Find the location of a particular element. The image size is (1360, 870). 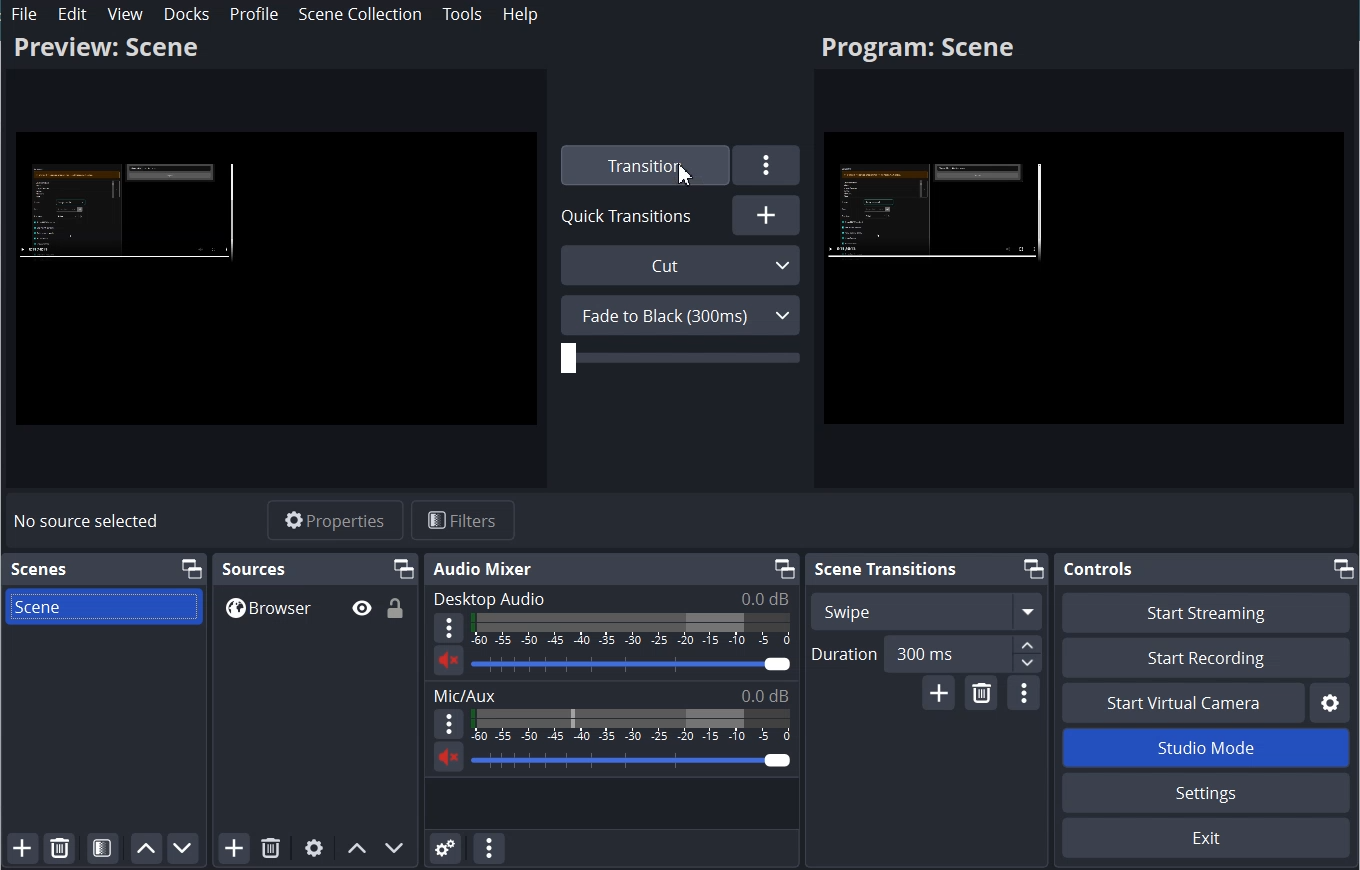

Cut is located at coordinates (682, 265).